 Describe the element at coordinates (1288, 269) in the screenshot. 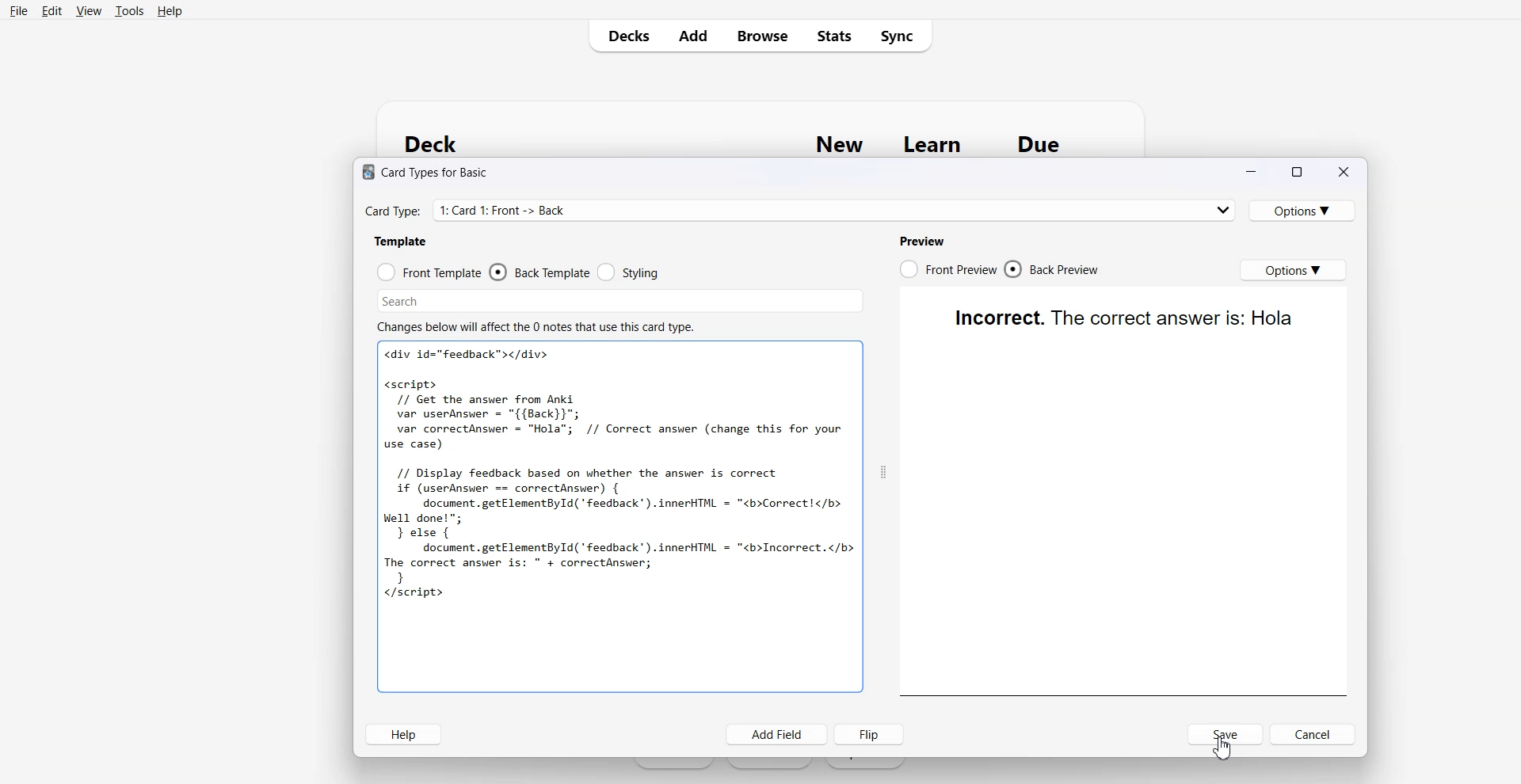

I see `Options` at that location.